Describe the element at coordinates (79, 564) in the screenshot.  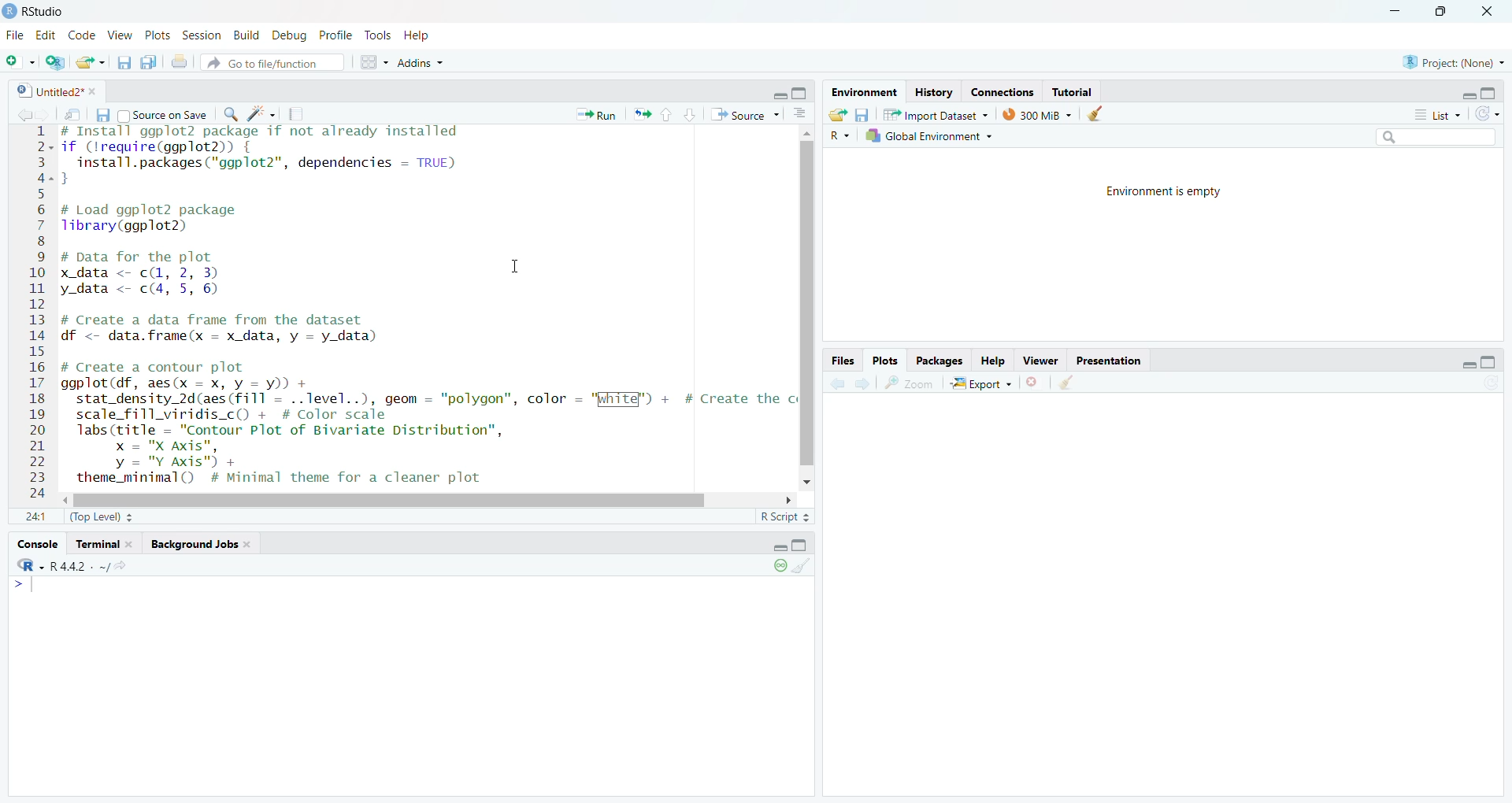
I see `r 4.4.2` at that location.